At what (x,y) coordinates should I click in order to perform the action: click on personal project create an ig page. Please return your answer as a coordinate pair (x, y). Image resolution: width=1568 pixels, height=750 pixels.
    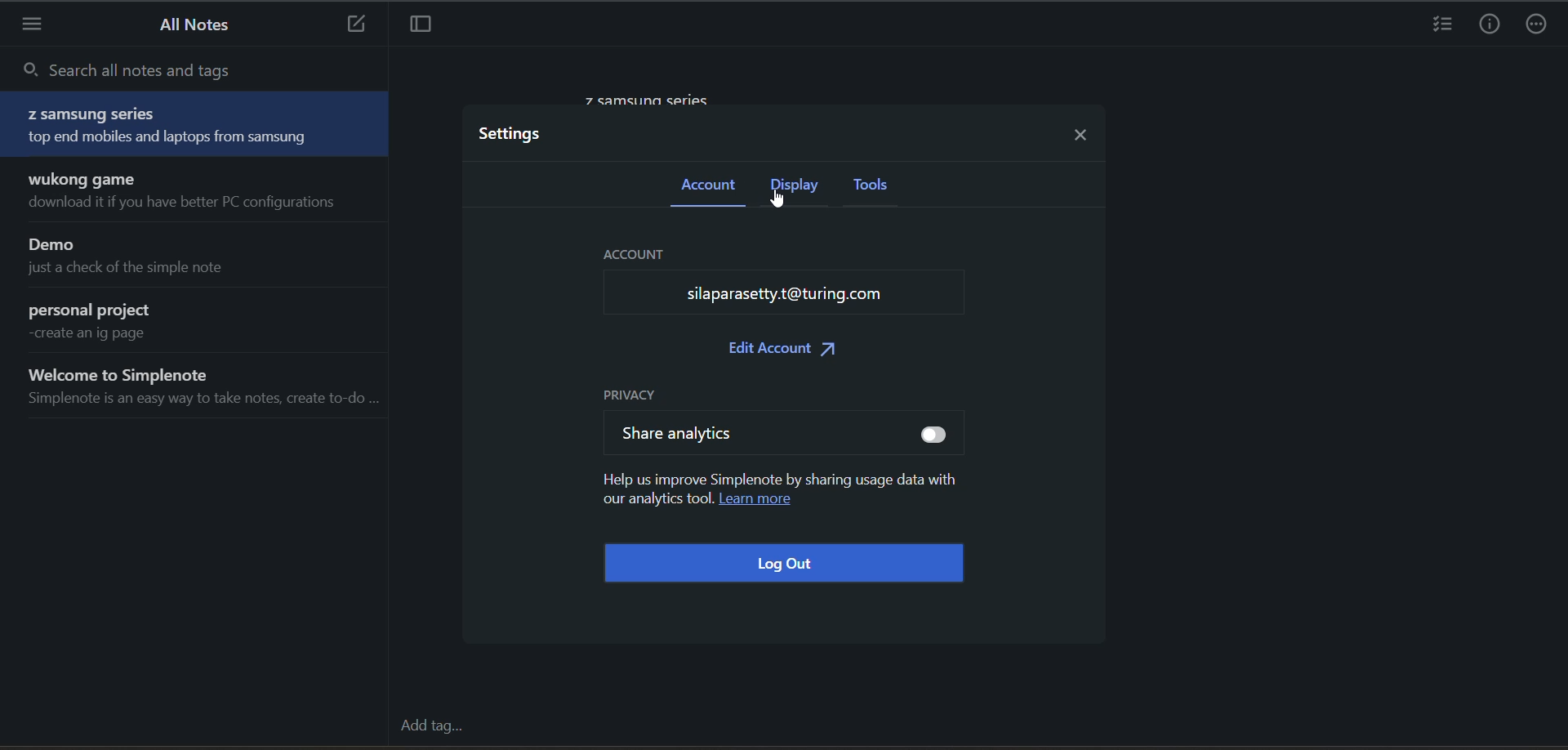
    Looking at the image, I should click on (199, 323).